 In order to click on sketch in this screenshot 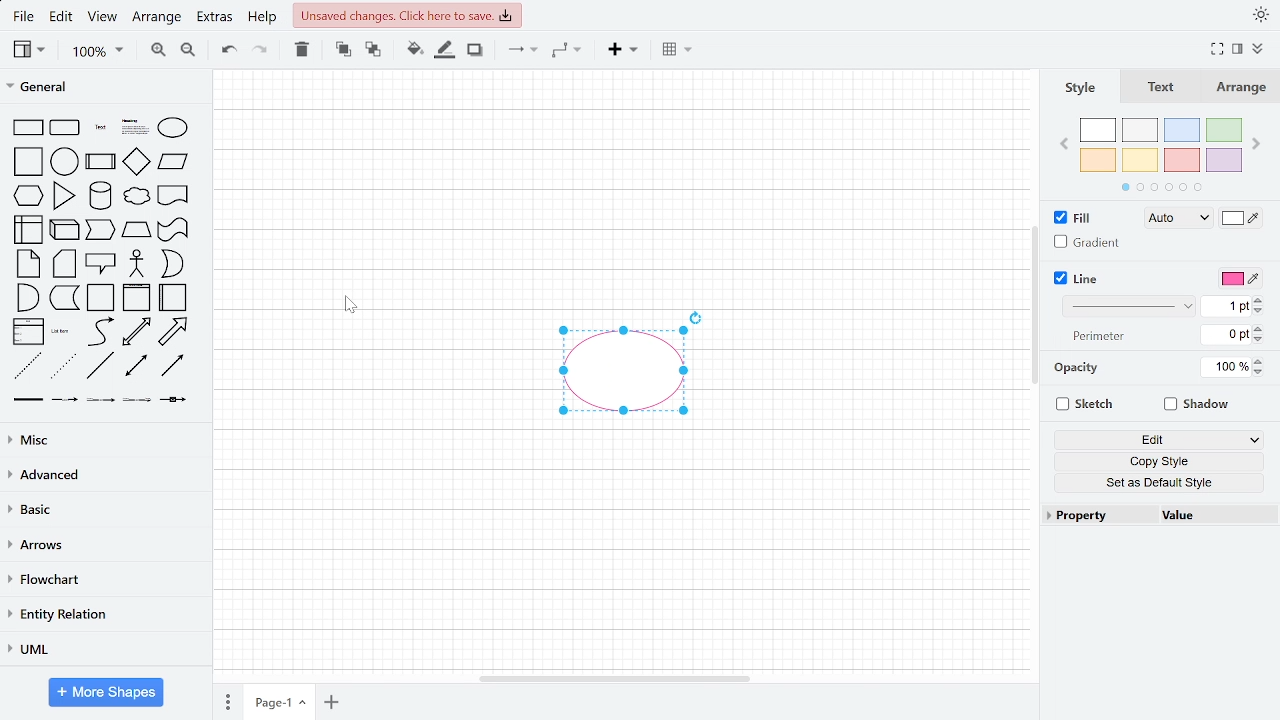, I will do `click(1086, 405)`.